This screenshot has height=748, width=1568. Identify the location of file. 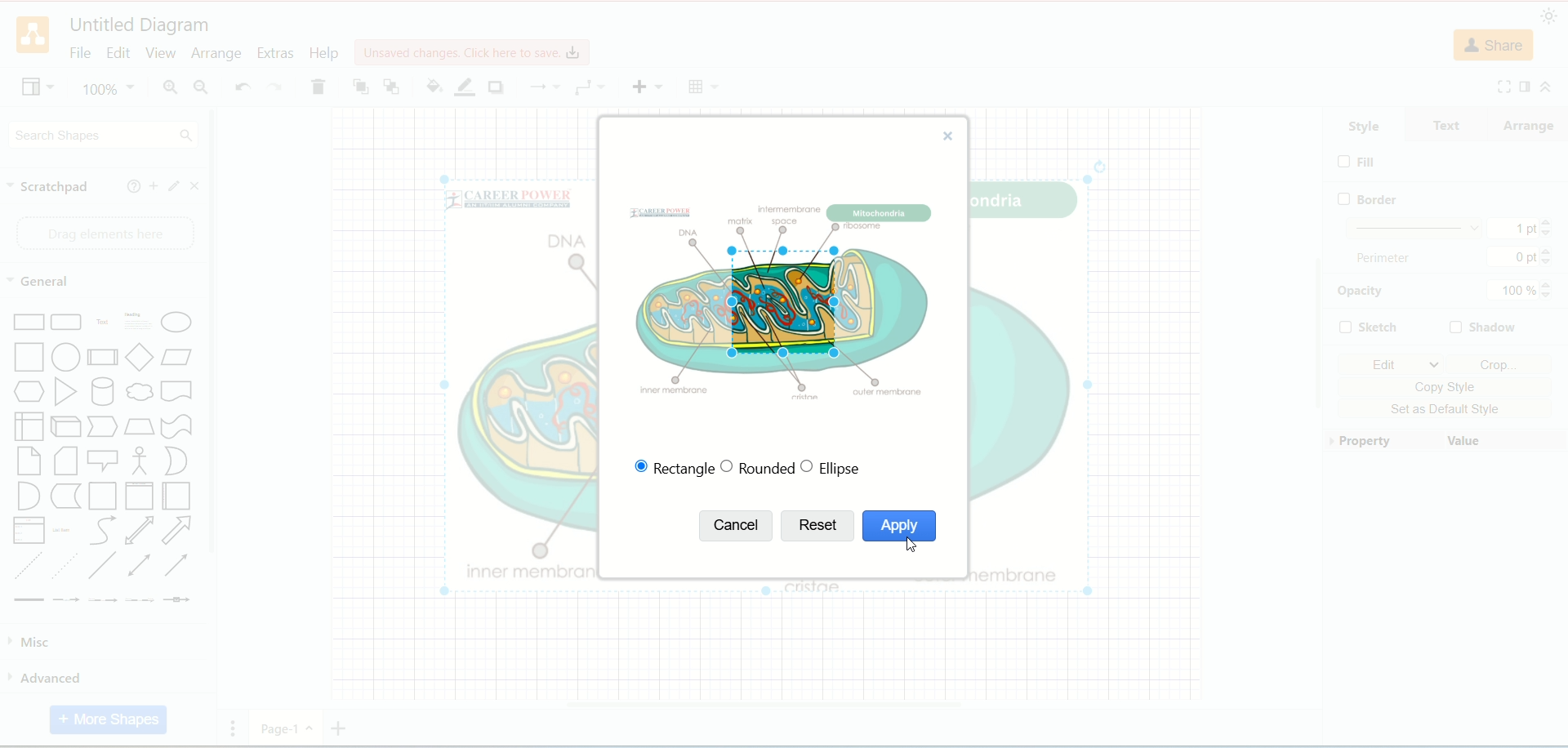
(79, 52).